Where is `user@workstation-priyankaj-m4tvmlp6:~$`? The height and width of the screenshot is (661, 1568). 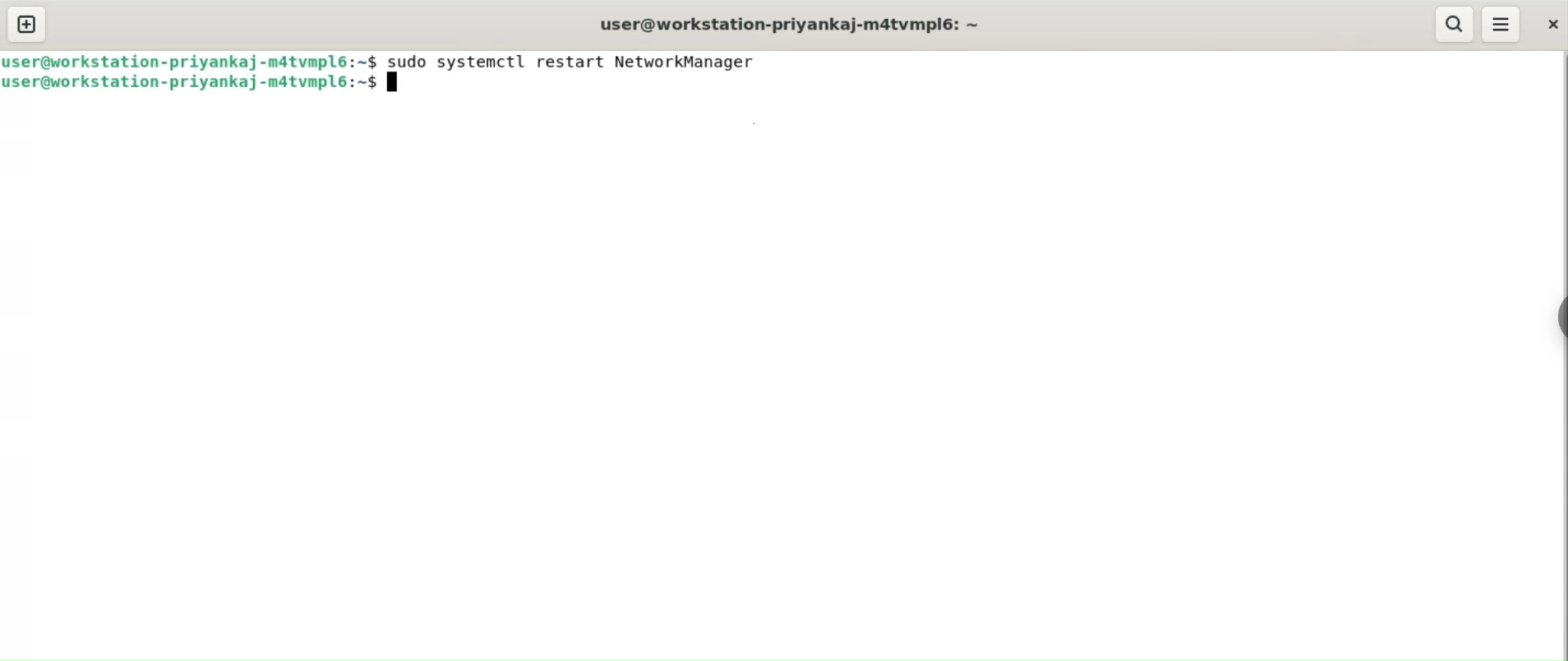
user@workstation-priyankaj-m4tvmlp6:~$ is located at coordinates (190, 62).